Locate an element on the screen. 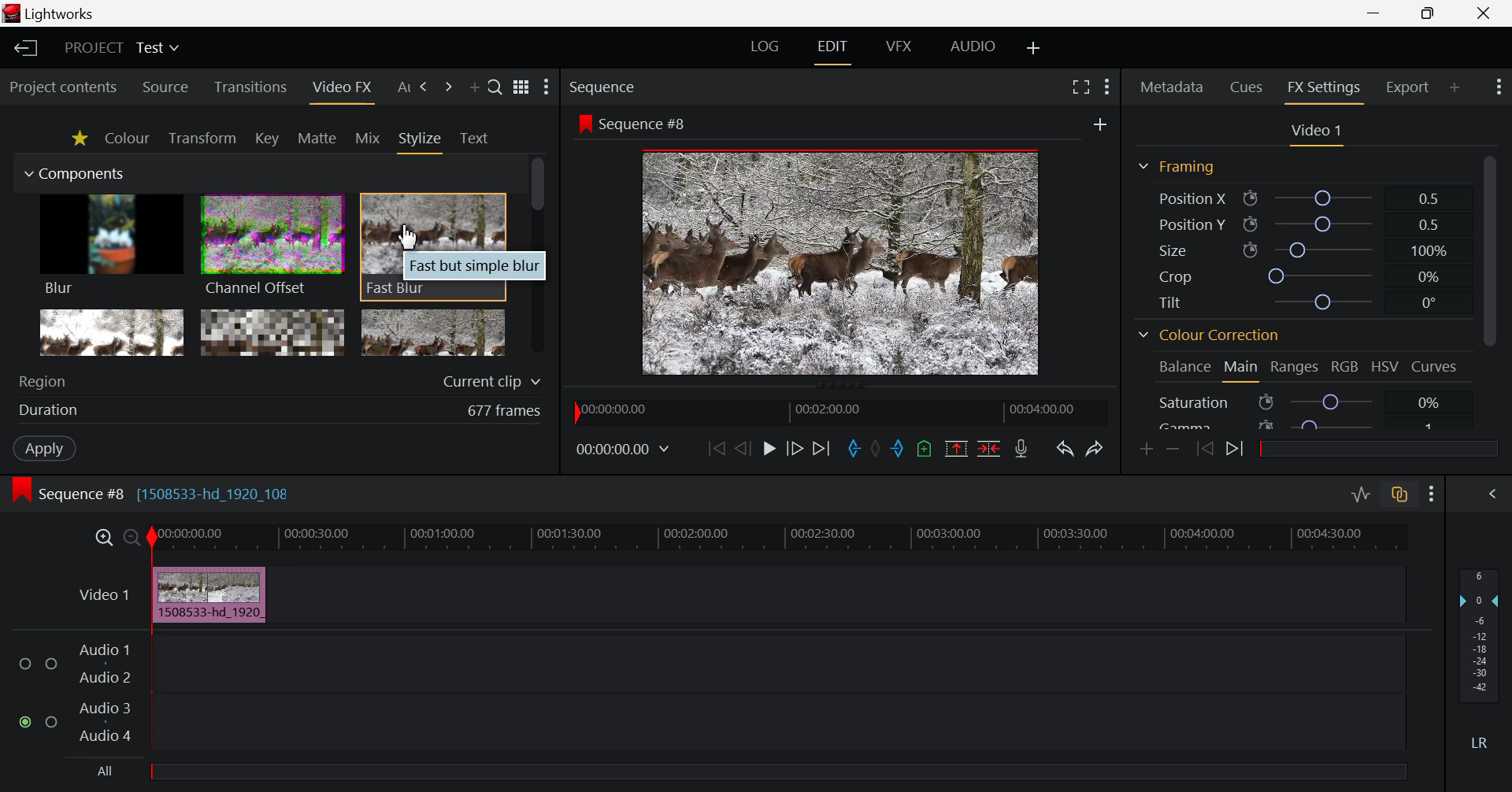 The image size is (1512, 792). Scroll Bar is located at coordinates (1493, 291).